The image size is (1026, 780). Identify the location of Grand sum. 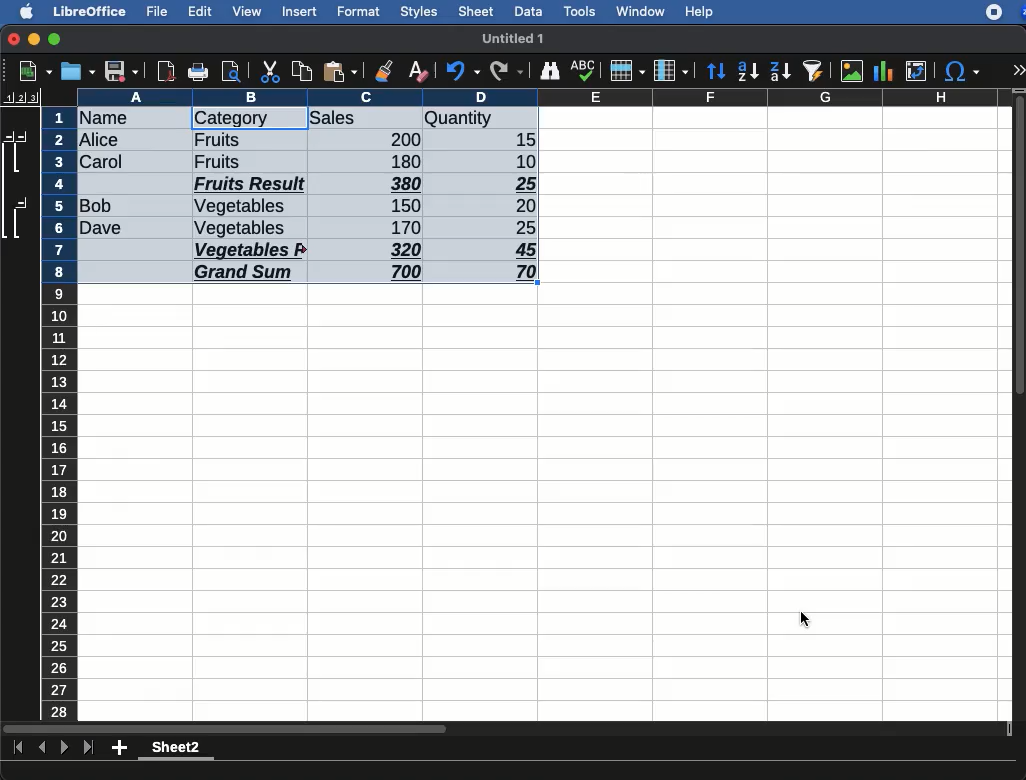
(247, 272).